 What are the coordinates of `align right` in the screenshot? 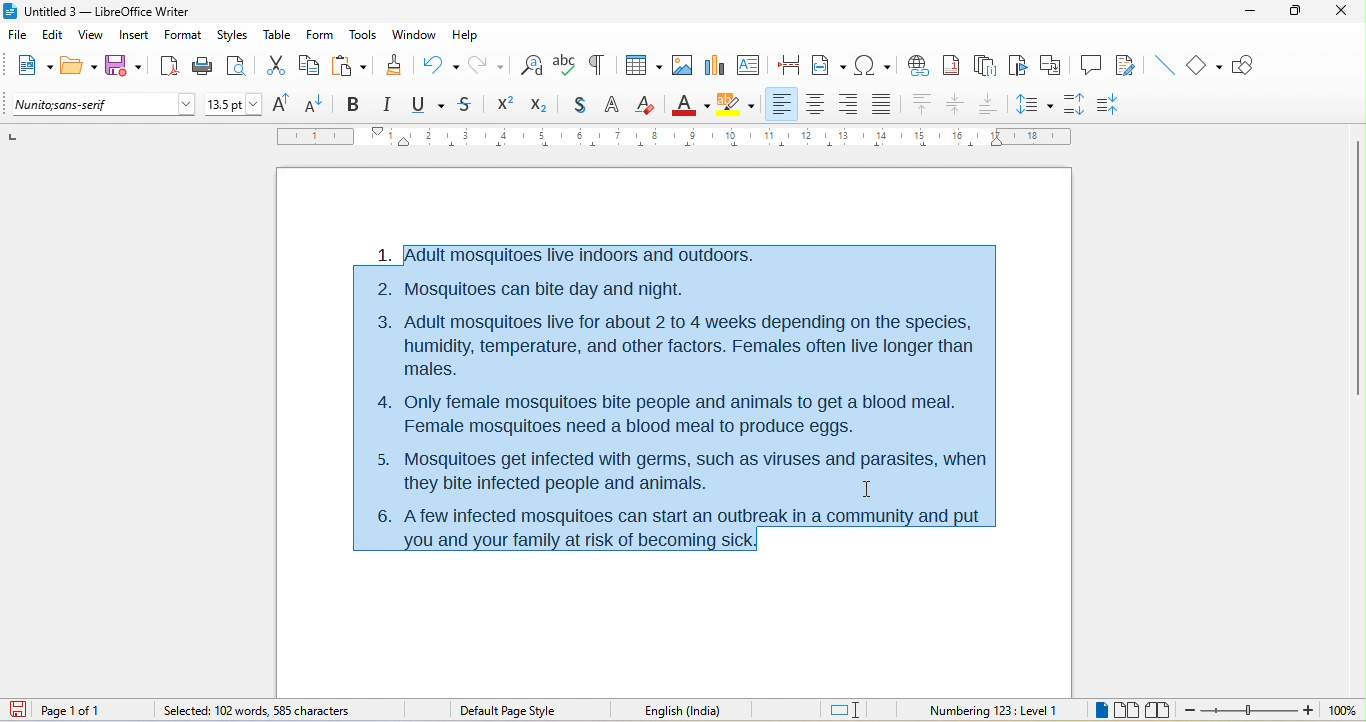 It's located at (846, 104).